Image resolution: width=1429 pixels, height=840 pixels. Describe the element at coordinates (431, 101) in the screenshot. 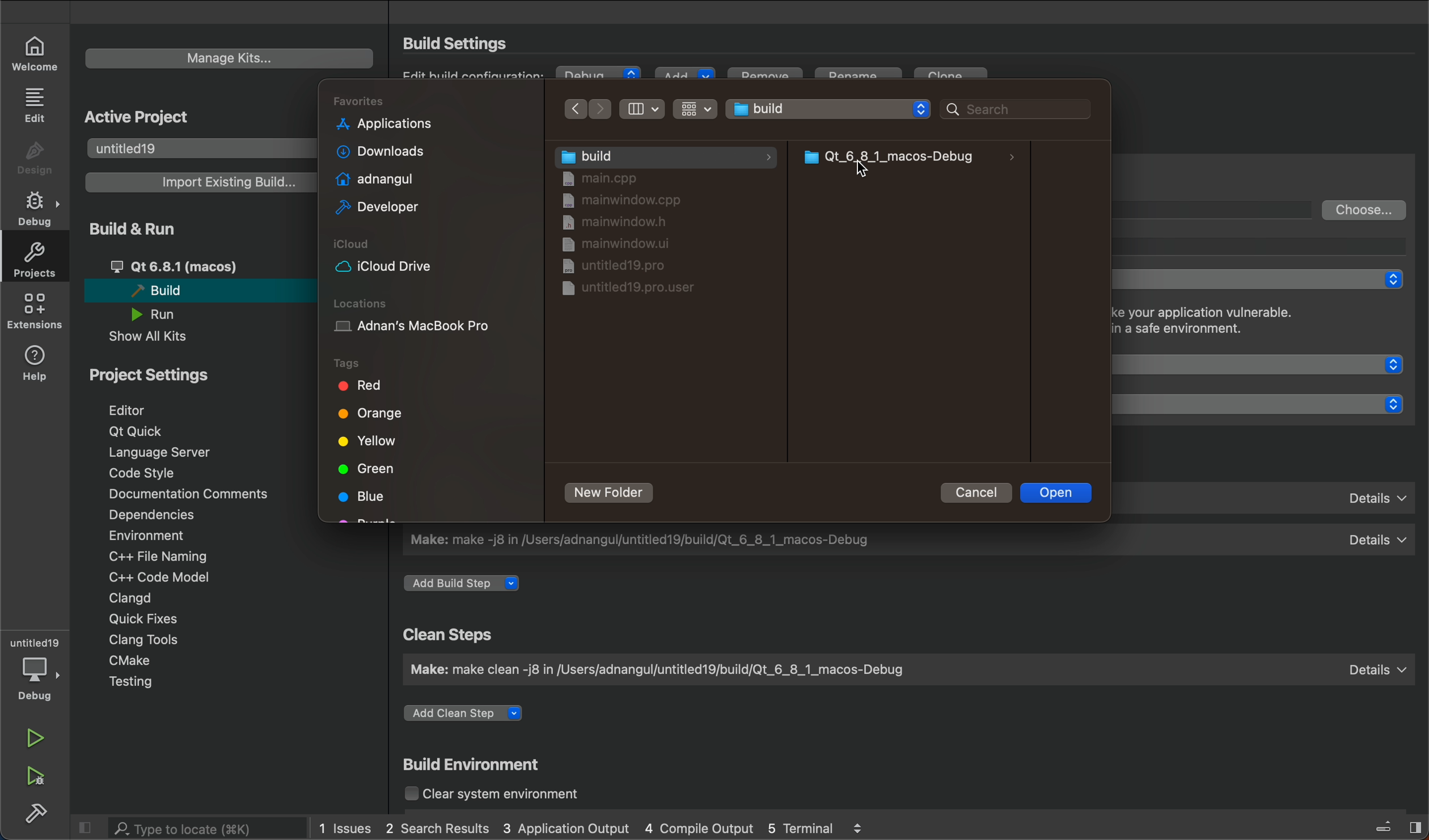

I see `folders` at that location.